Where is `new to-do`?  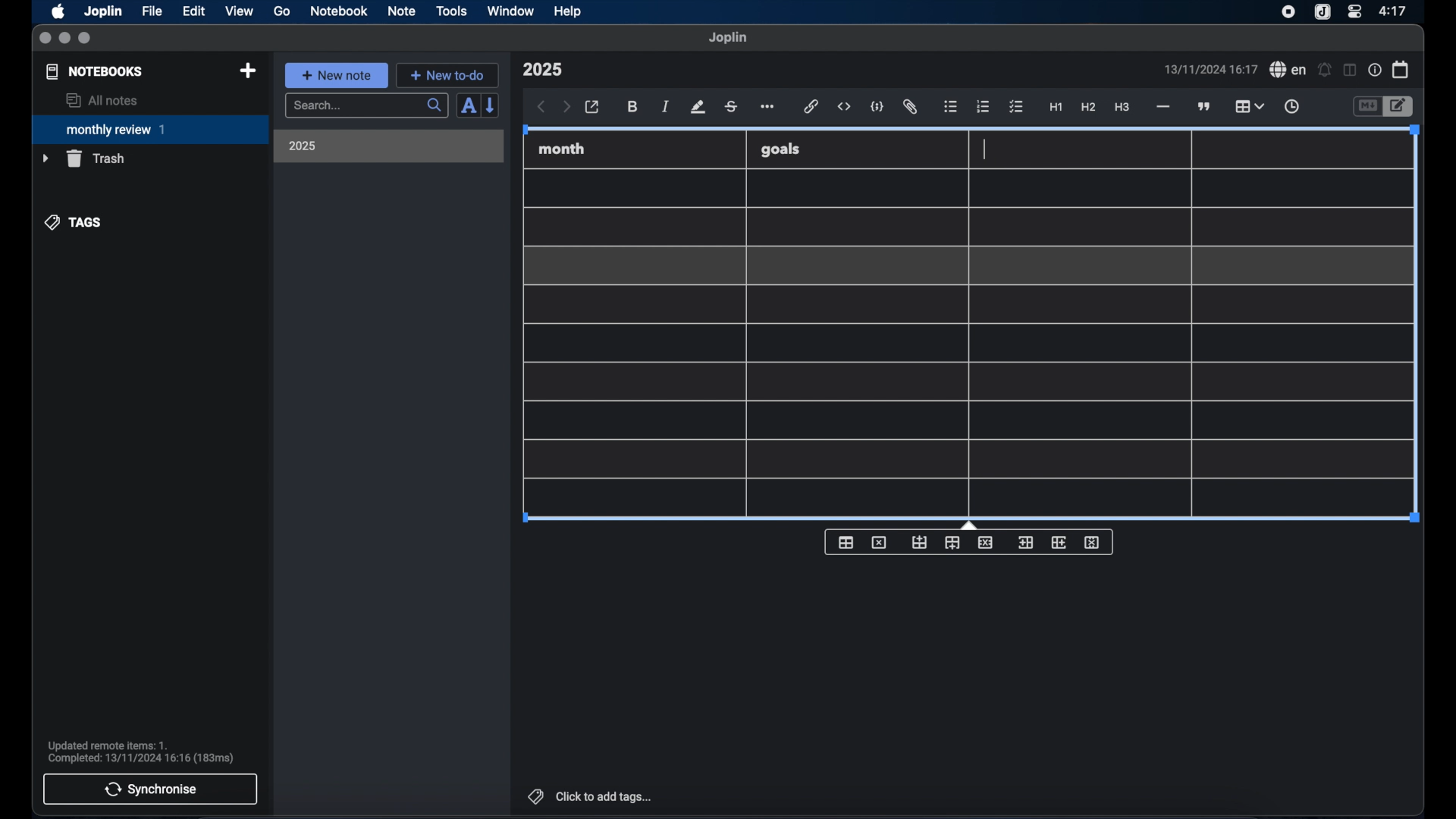
new to-do is located at coordinates (448, 75).